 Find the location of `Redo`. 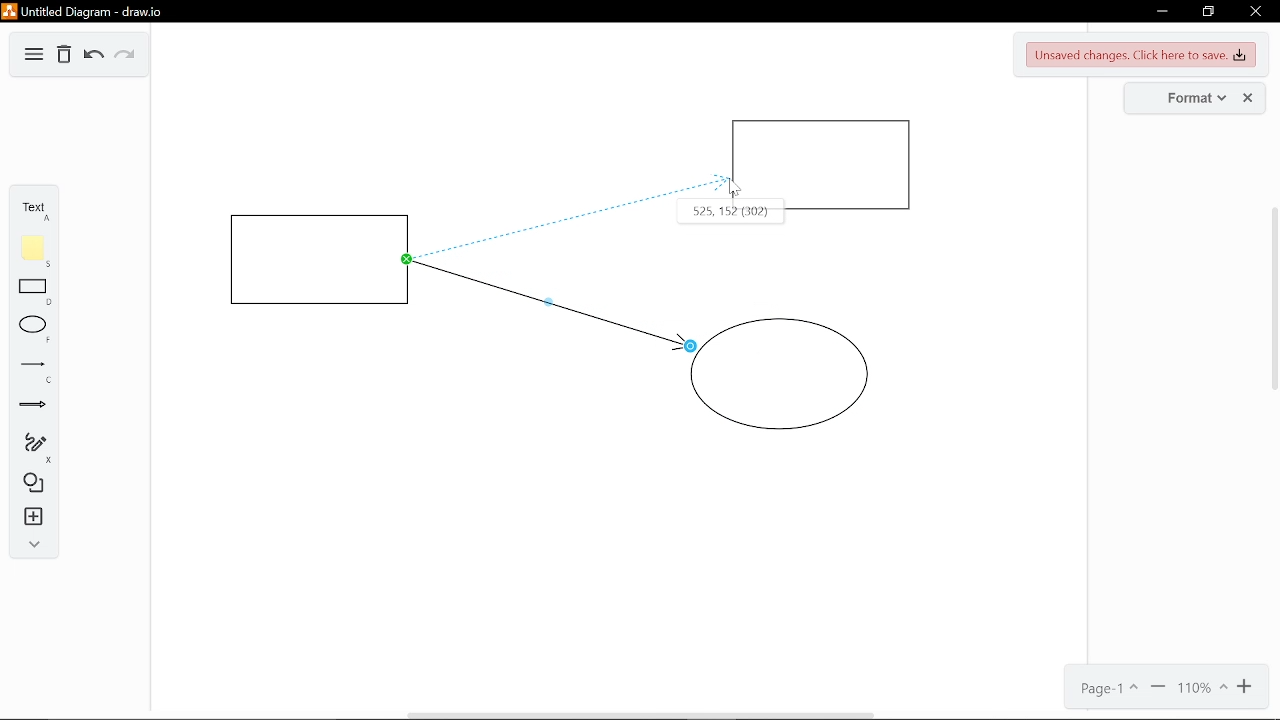

Redo is located at coordinates (123, 55).